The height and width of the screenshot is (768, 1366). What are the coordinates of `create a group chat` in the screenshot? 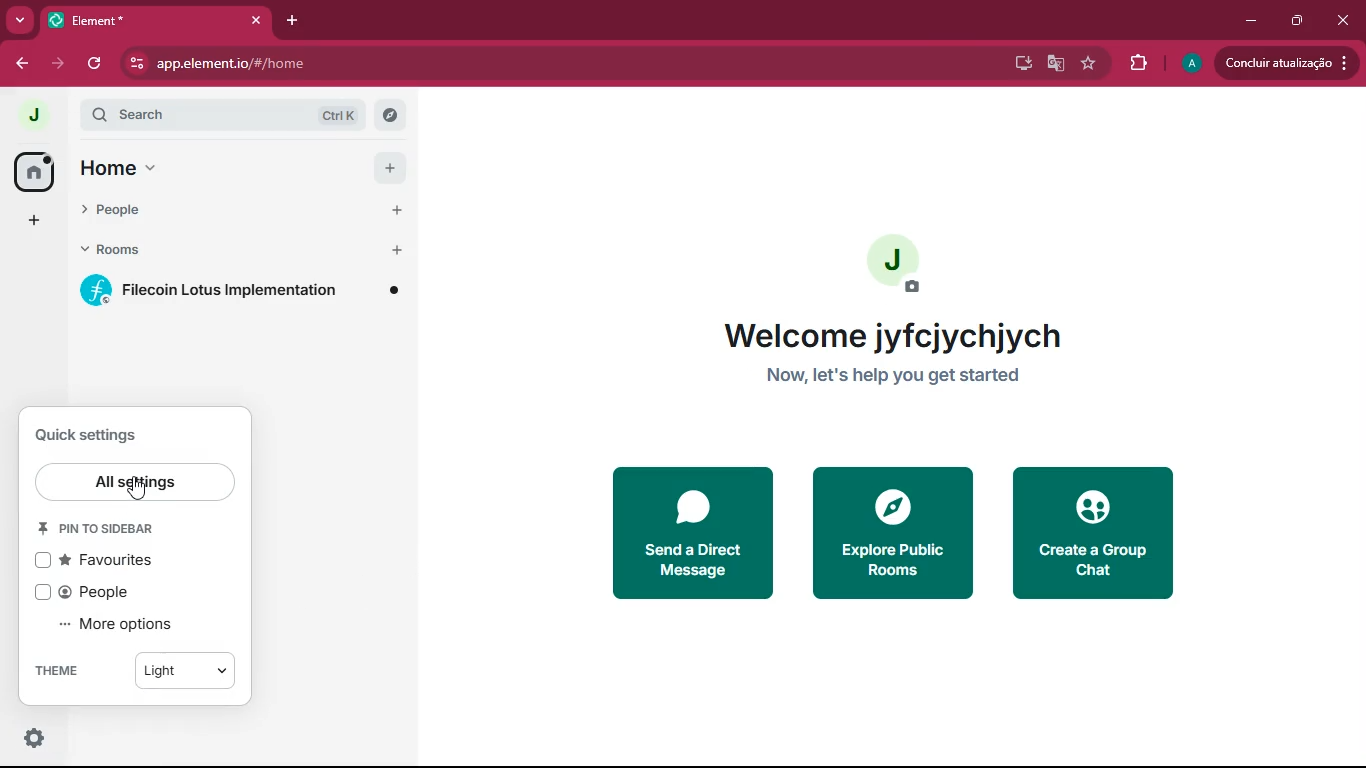 It's located at (1091, 536).